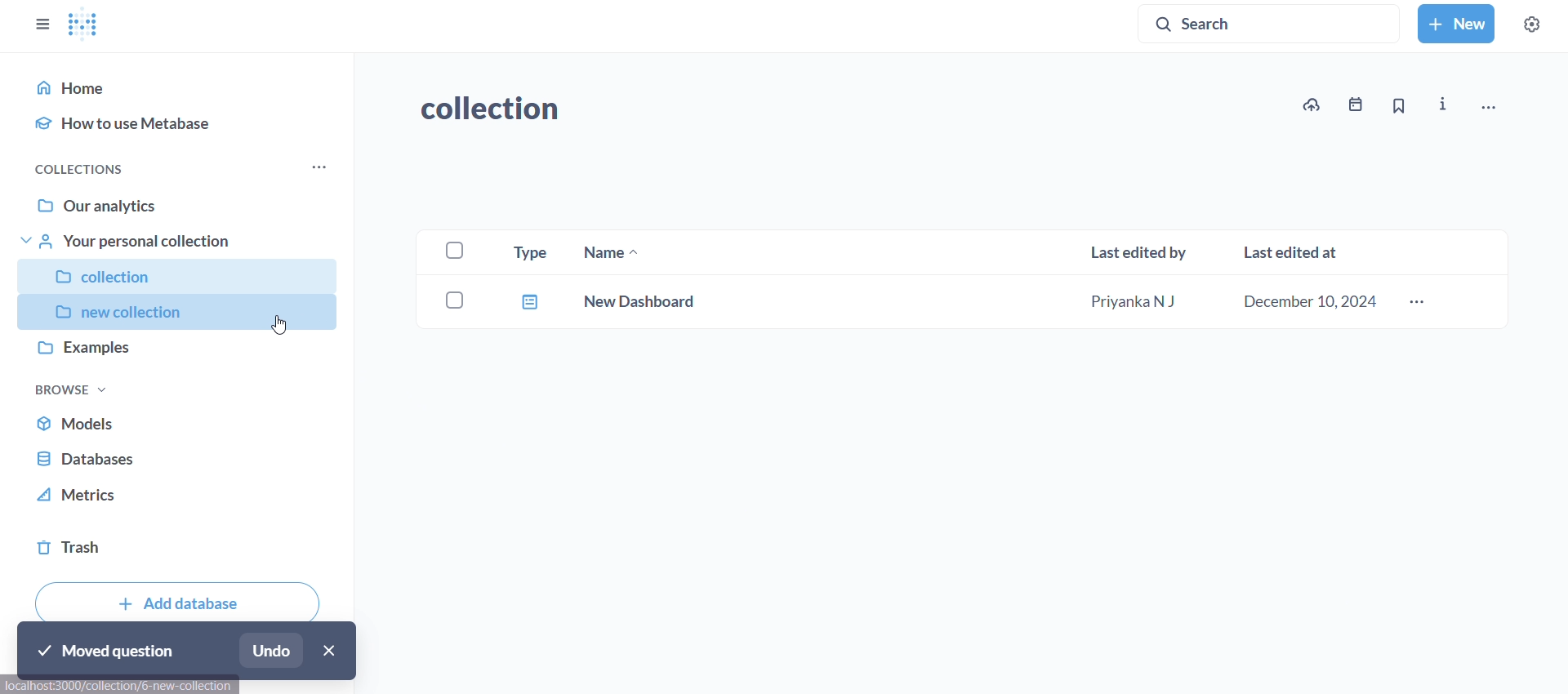 This screenshot has width=1568, height=694. I want to click on last edited by, so click(1142, 255).